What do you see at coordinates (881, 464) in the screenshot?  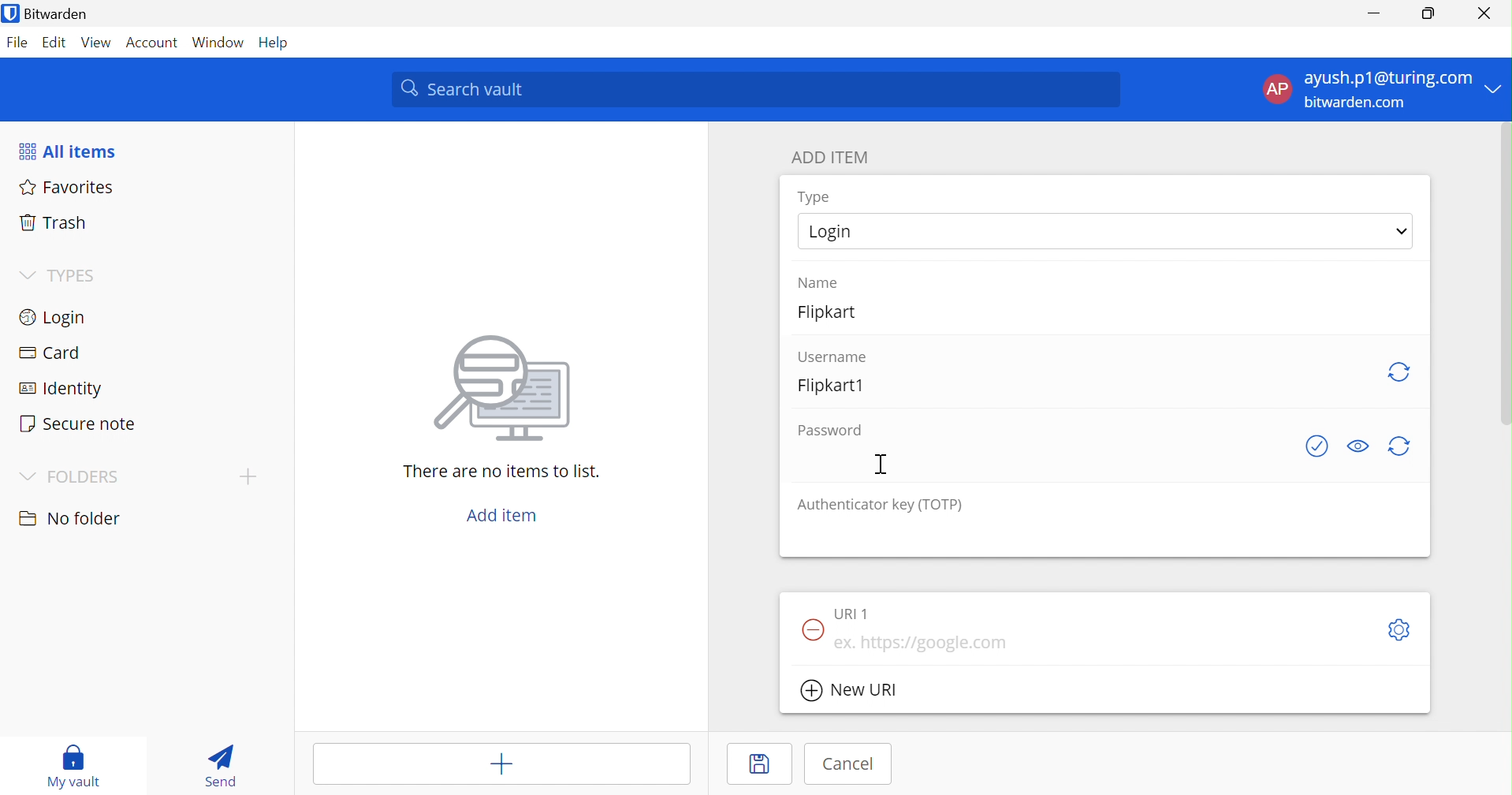 I see `Cursor` at bounding box center [881, 464].